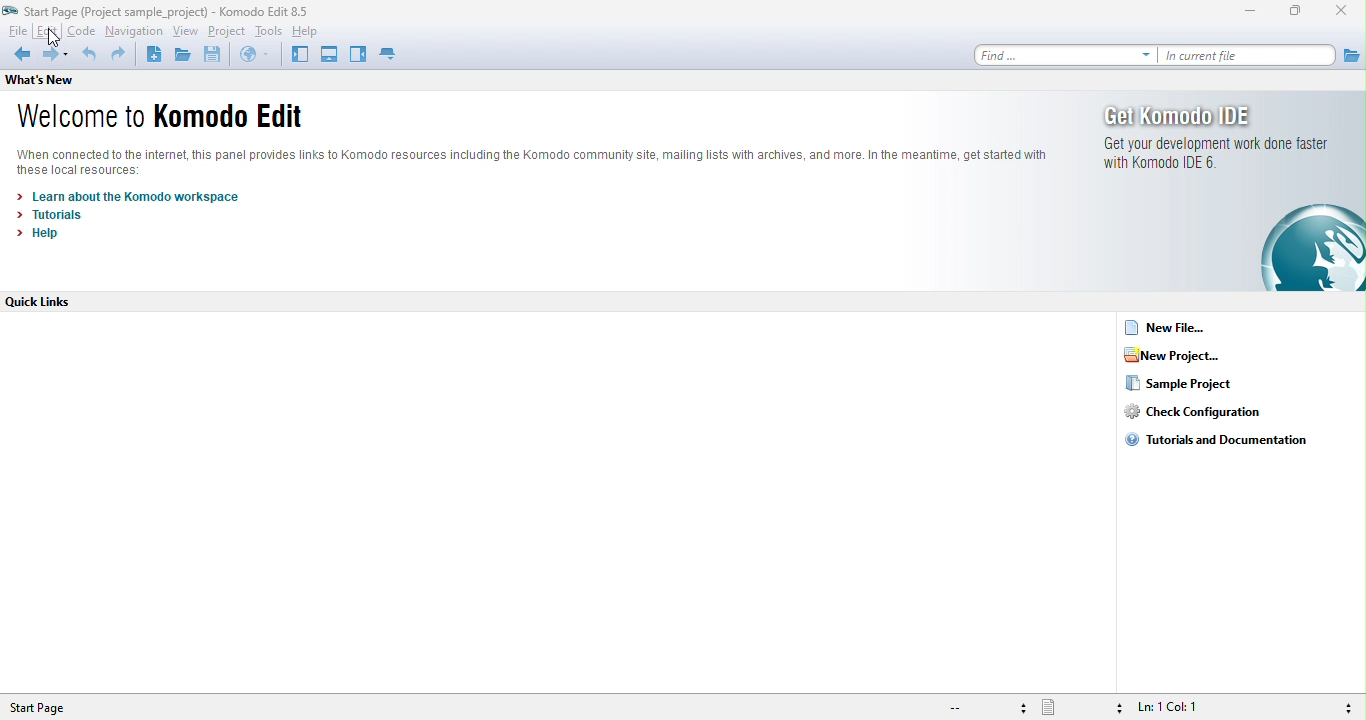  I want to click on tab, so click(390, 55).